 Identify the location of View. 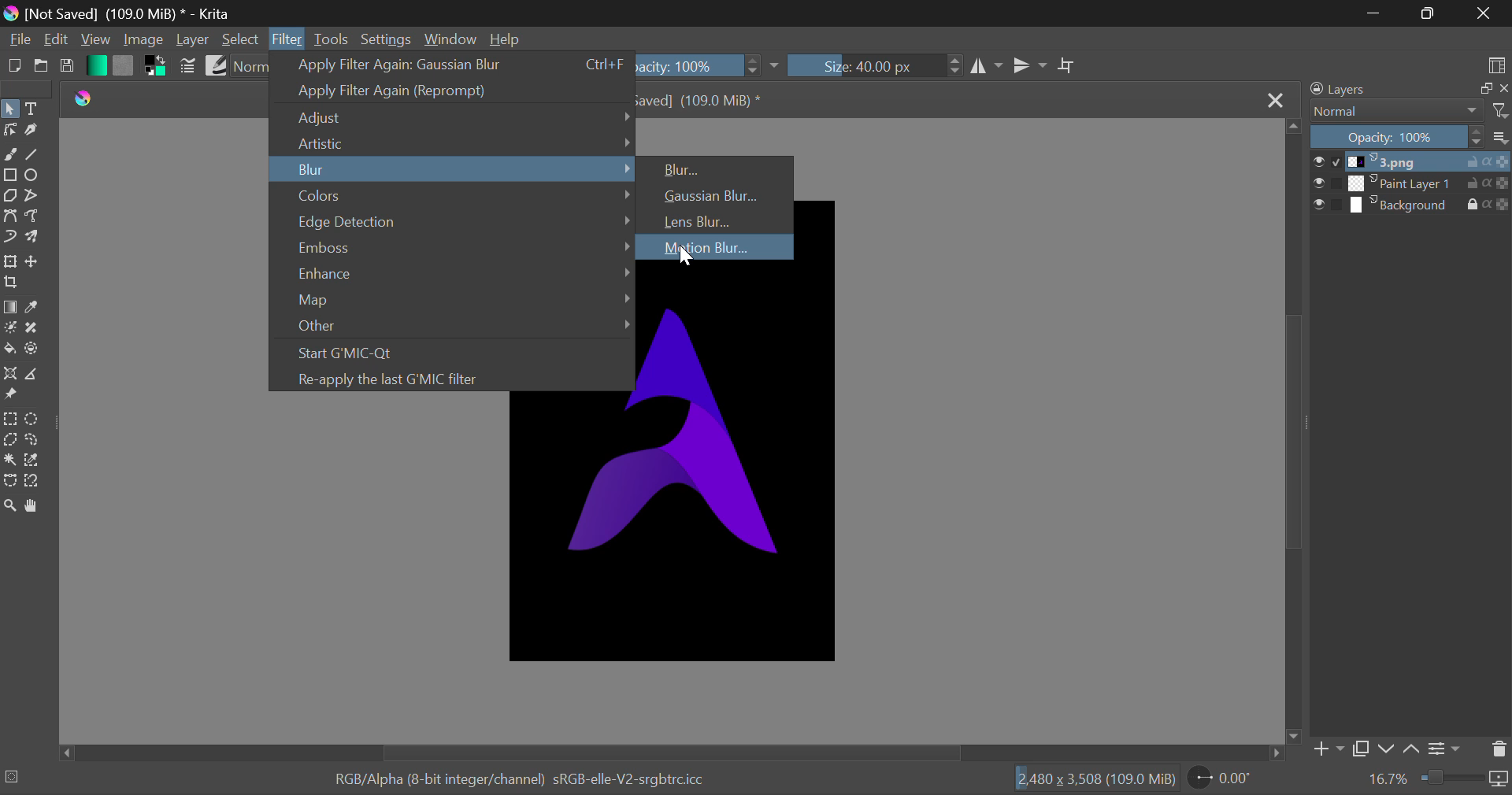
(94, 39).